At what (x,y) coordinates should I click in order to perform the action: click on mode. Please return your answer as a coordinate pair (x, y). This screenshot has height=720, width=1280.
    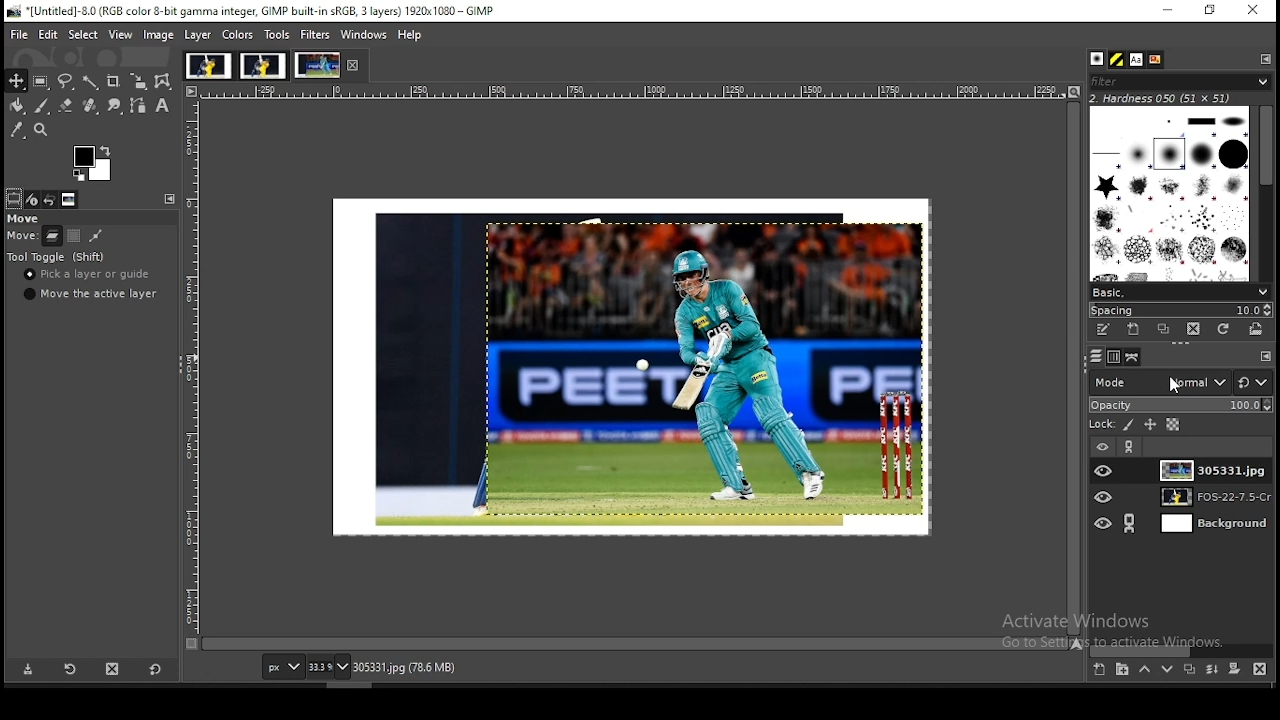
    Looking at the image, I should click on (1162, 384).